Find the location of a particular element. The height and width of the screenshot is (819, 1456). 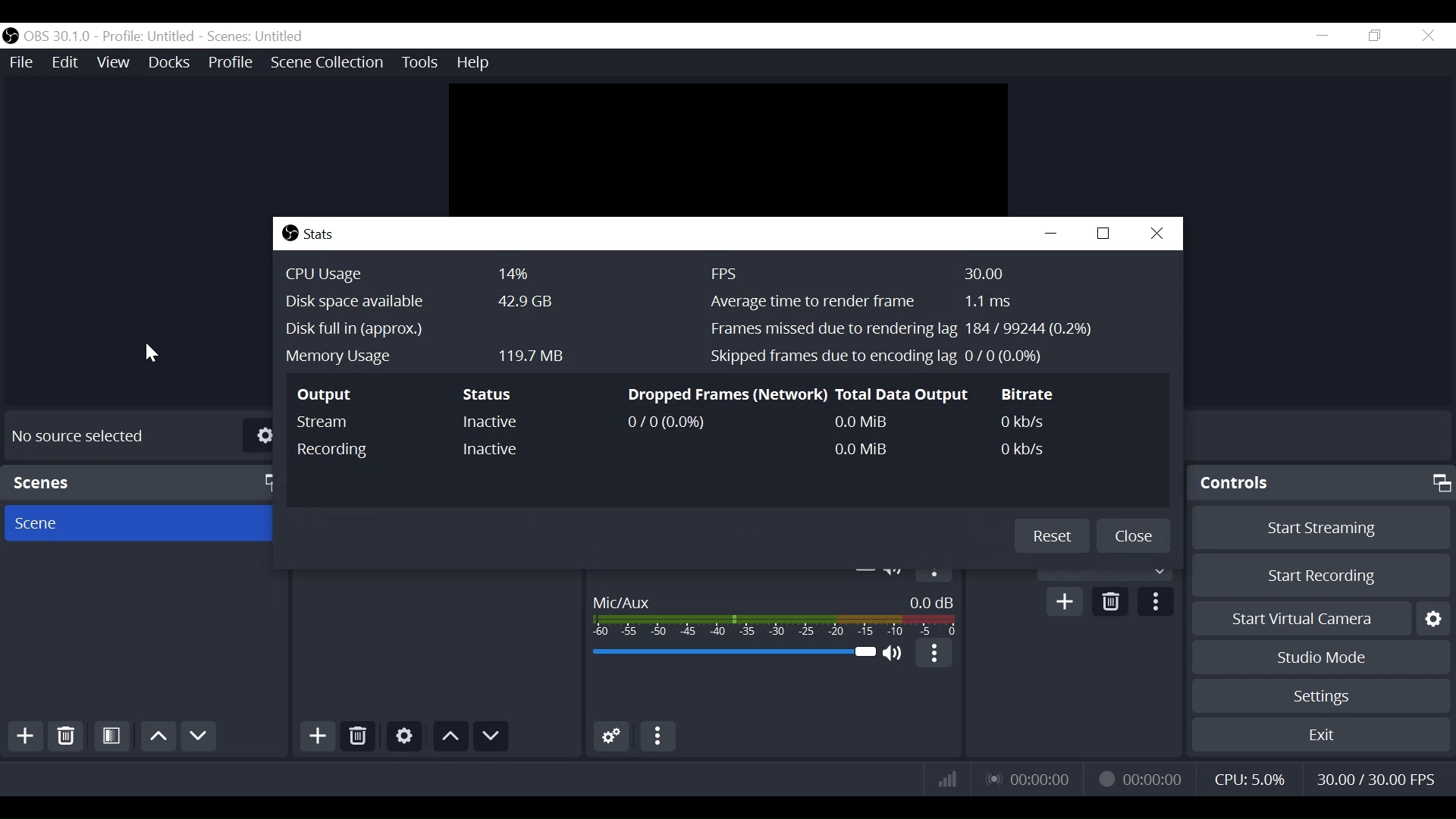

Profile is located at coordinates (233, 63).